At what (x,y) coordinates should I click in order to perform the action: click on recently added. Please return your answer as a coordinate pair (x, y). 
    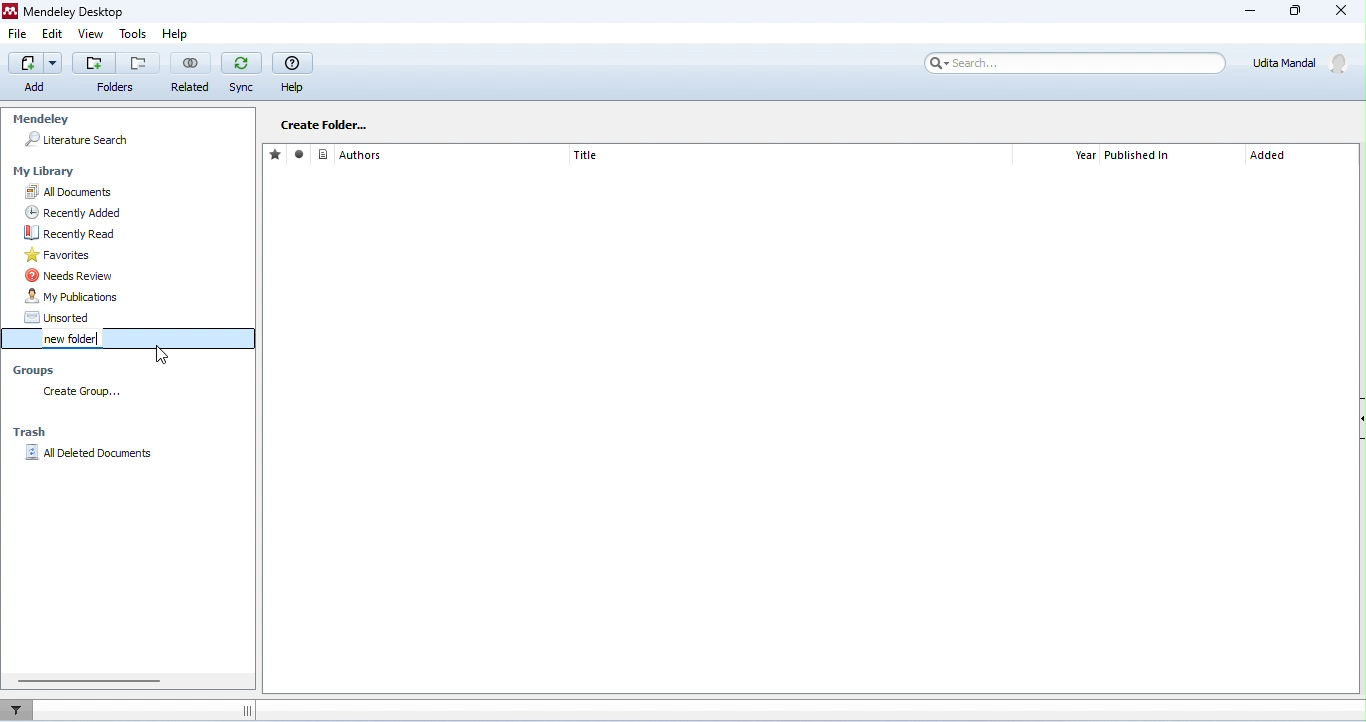
    Looking at the image, I should click on (134, 213).